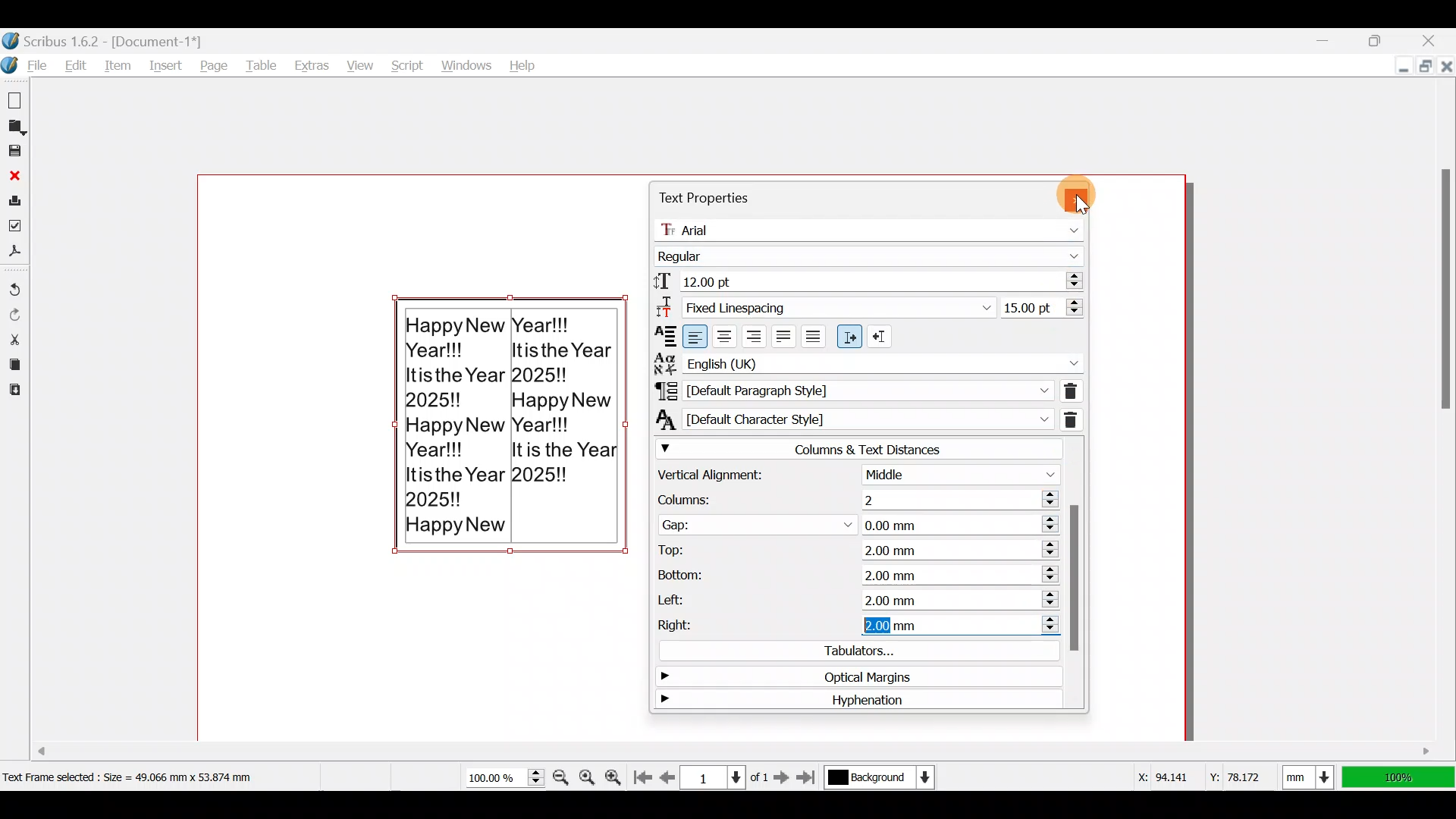 Image resolution: width=1456 pixels, height=819 pixels. I want to click on Copy, so click(14, 364).